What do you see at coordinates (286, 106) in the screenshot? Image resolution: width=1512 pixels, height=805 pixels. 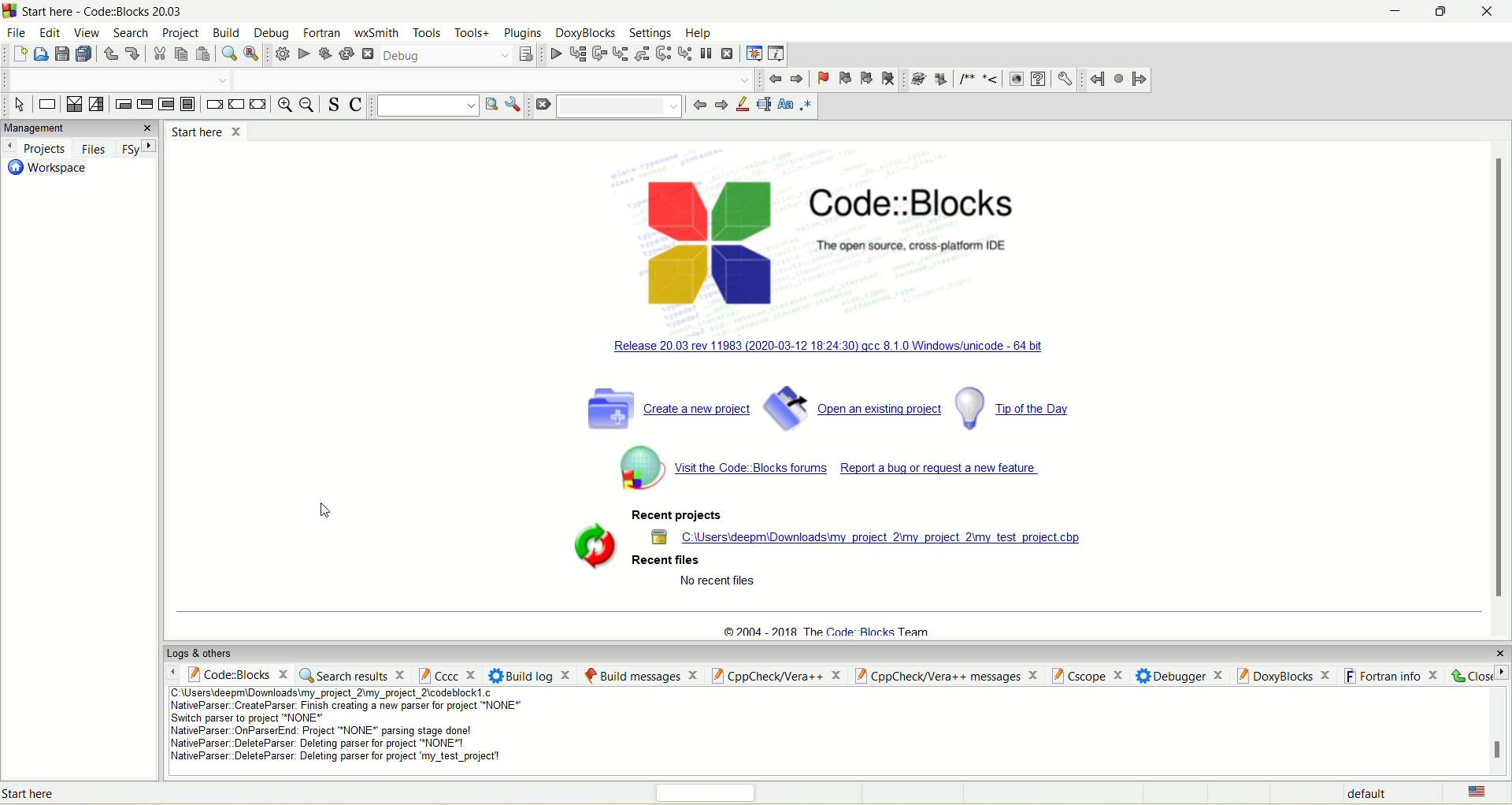 I see `zoom in` at bounding box center [286, 106].